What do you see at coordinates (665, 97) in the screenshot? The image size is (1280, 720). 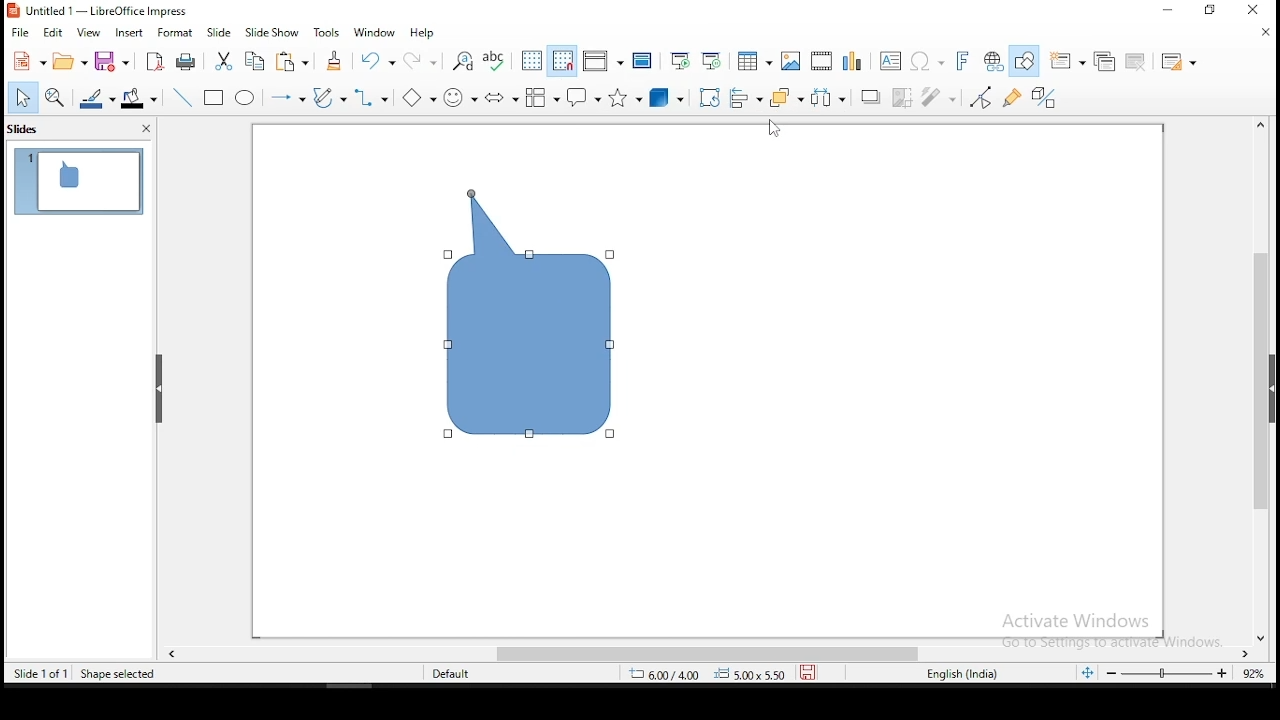 I see `3D objects` at bounding box center [665, 97].